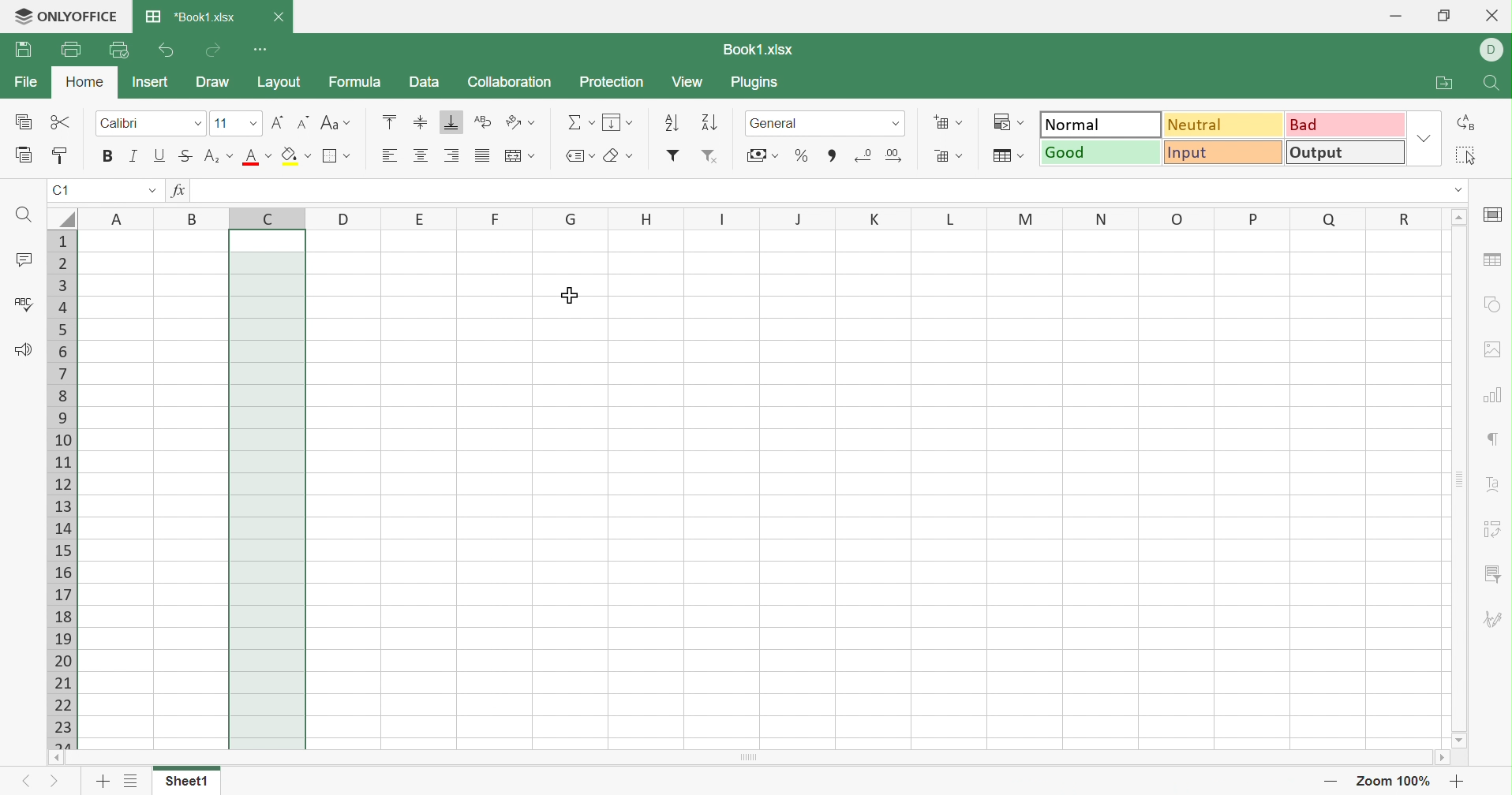 Image resolution: width=1512 pixels, height=795 pixels. Describe the element at coordinates (713, 156) in the screenshot. I see `Remove filter` at that location.